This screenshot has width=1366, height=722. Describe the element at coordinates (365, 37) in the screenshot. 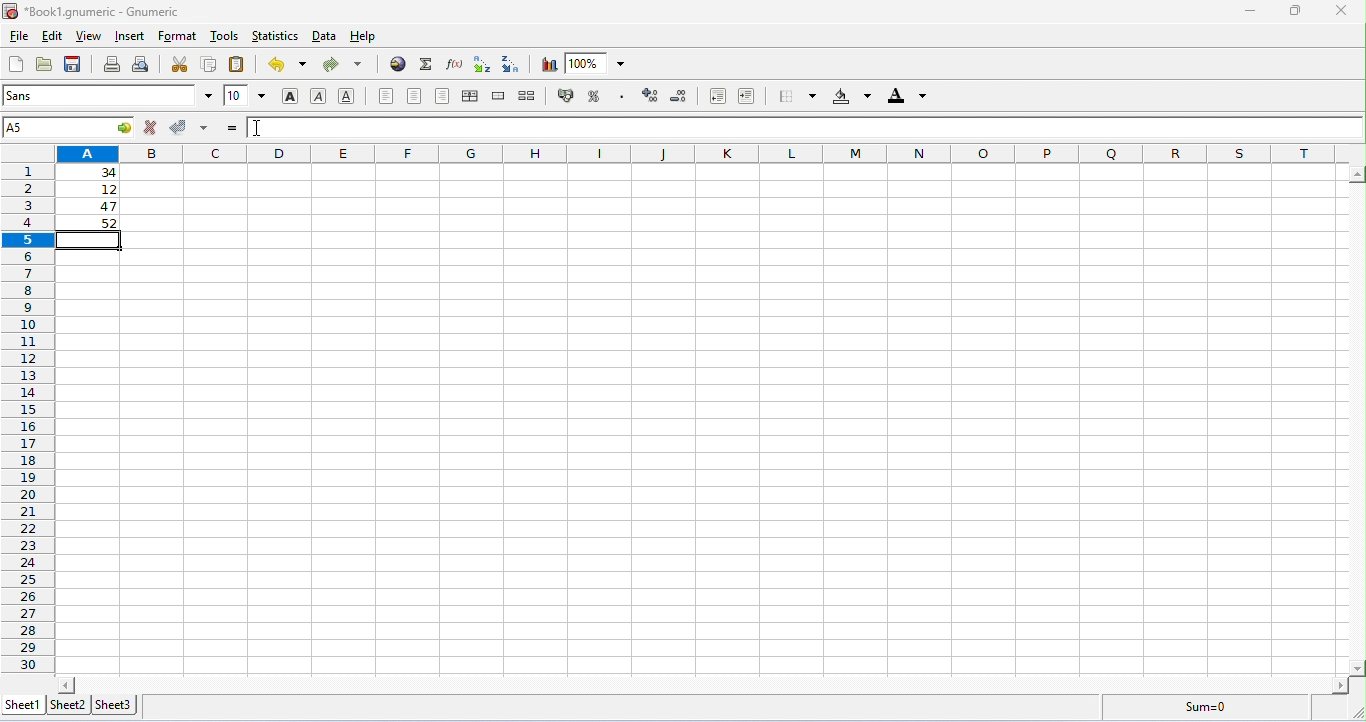

I see `help` at that location.